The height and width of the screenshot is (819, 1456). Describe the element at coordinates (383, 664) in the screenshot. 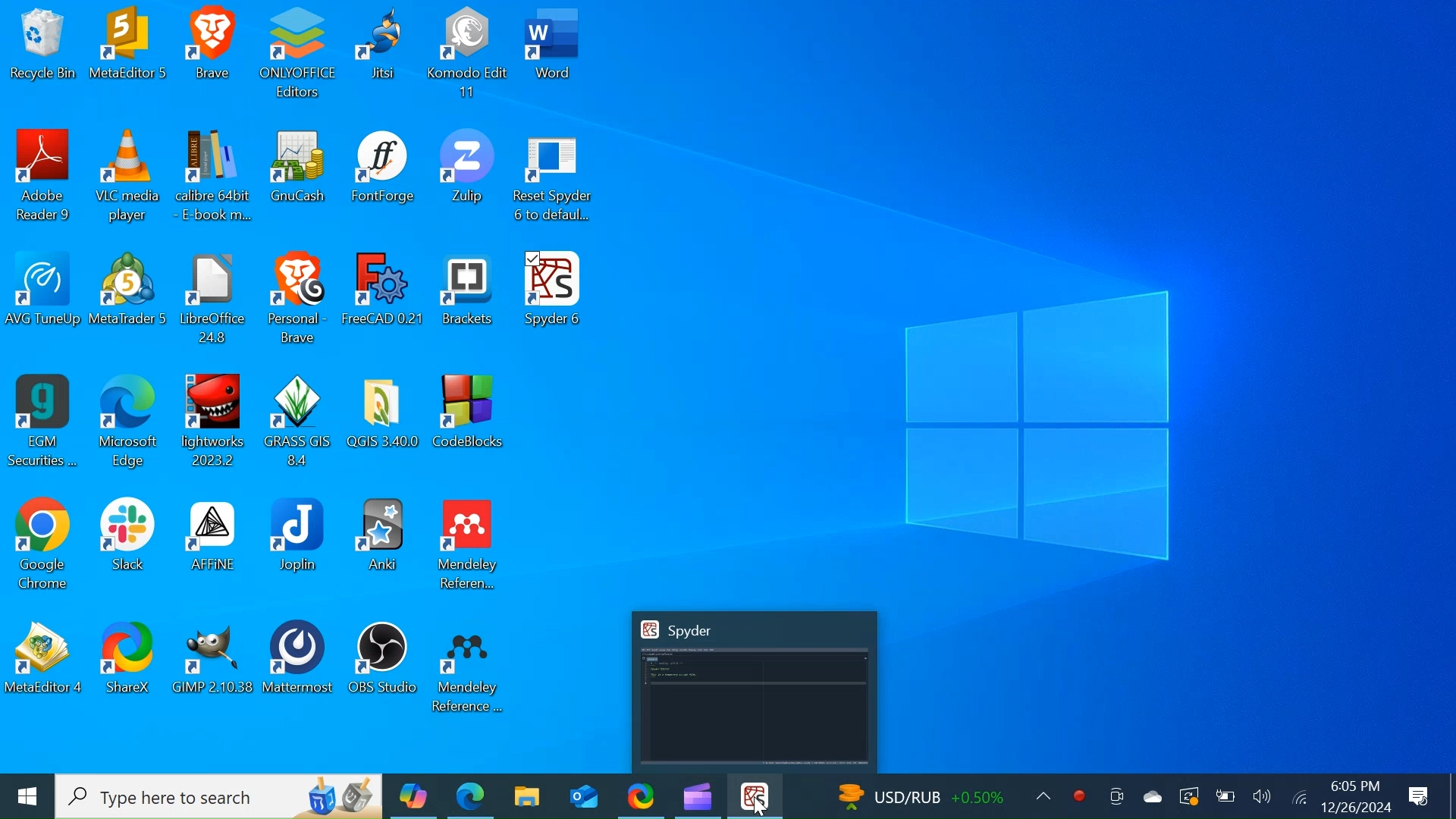

I see `OBS Studios Desktop Icon` at that location.